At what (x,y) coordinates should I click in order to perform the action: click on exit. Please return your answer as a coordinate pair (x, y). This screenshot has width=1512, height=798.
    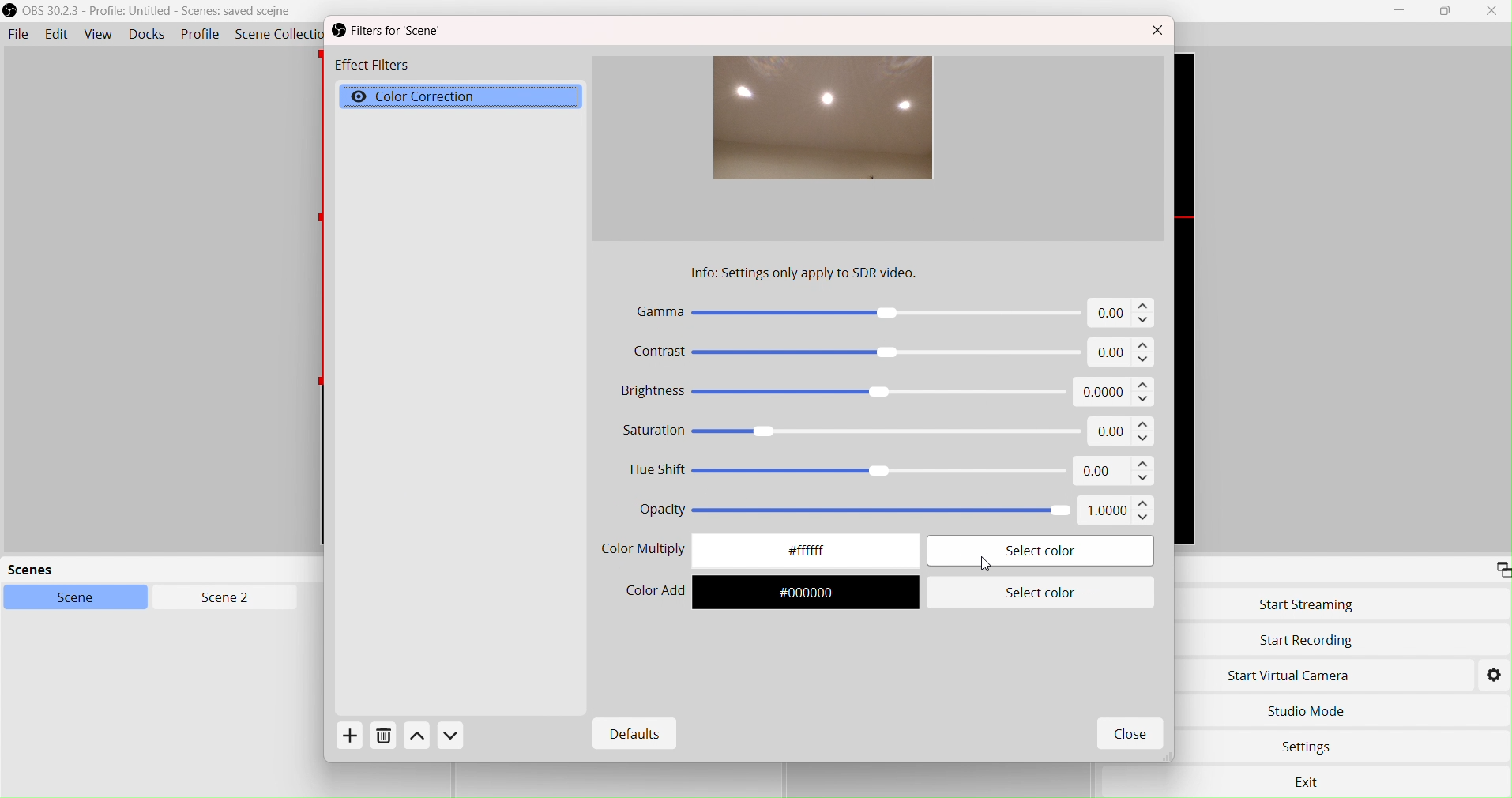
    Looking at the image, I should click on (1312, 781).